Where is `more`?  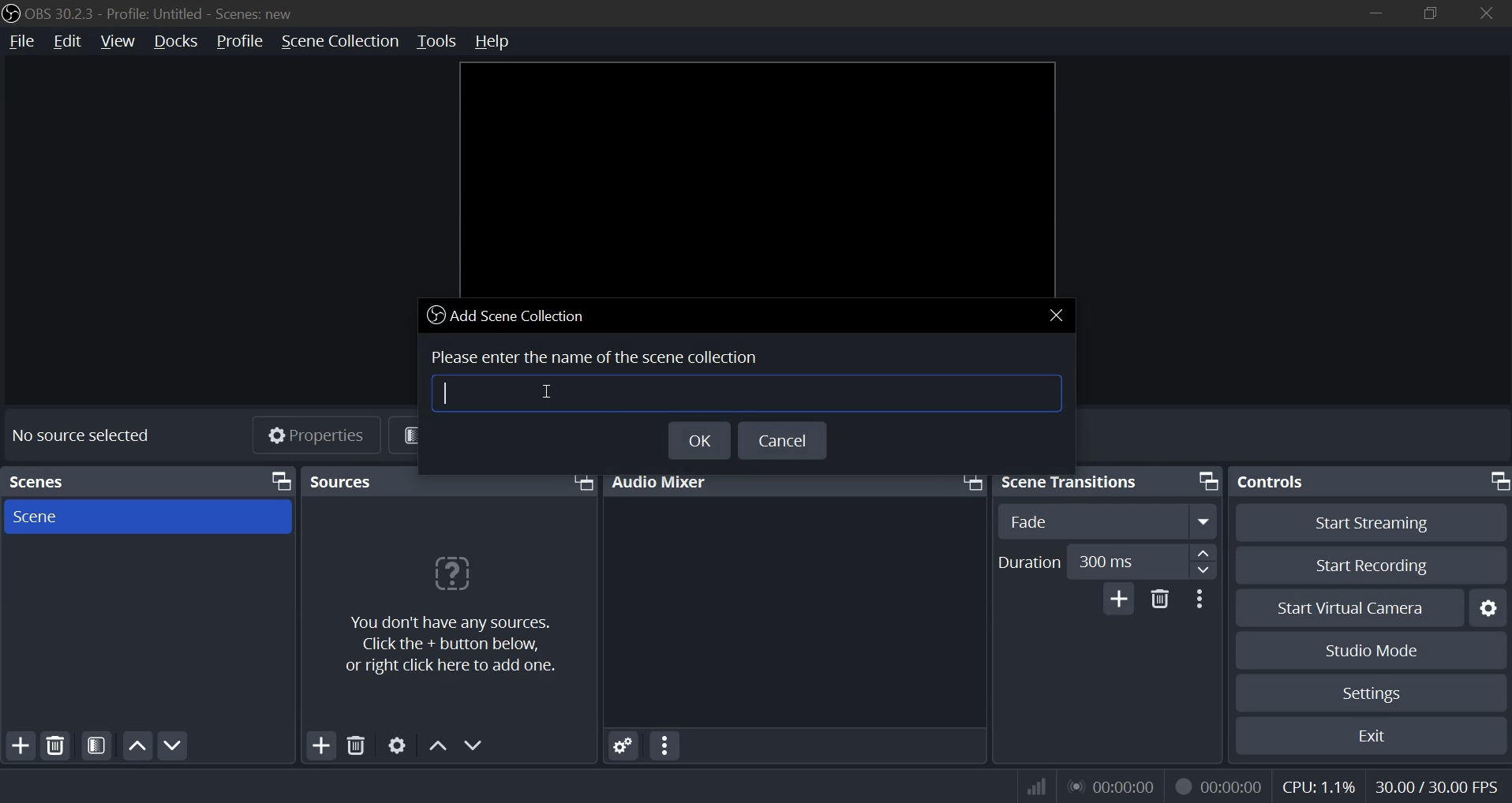 more is located at coordinates (666, 745).